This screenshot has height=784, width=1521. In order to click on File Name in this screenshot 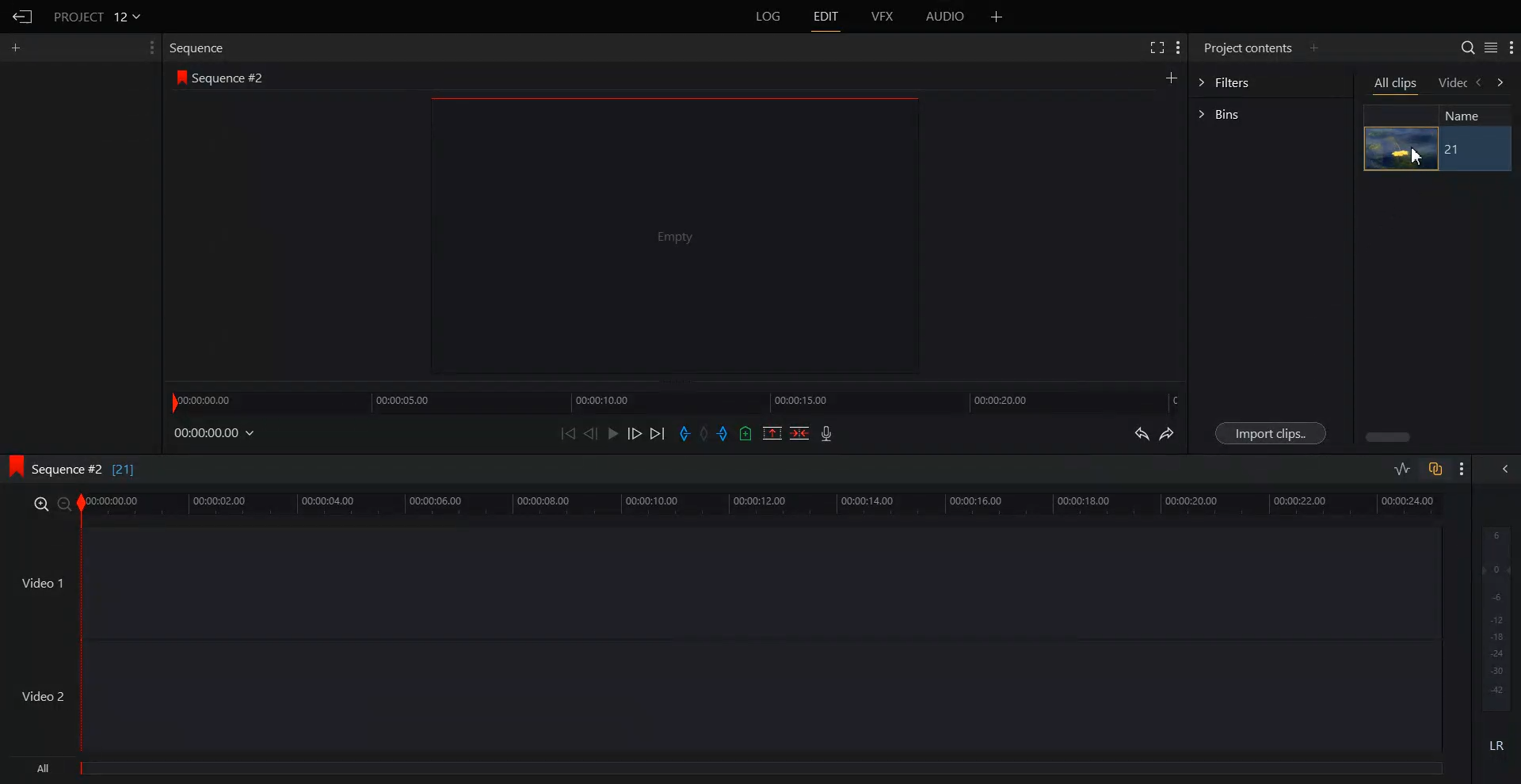, I will do `click(99, 16)`.